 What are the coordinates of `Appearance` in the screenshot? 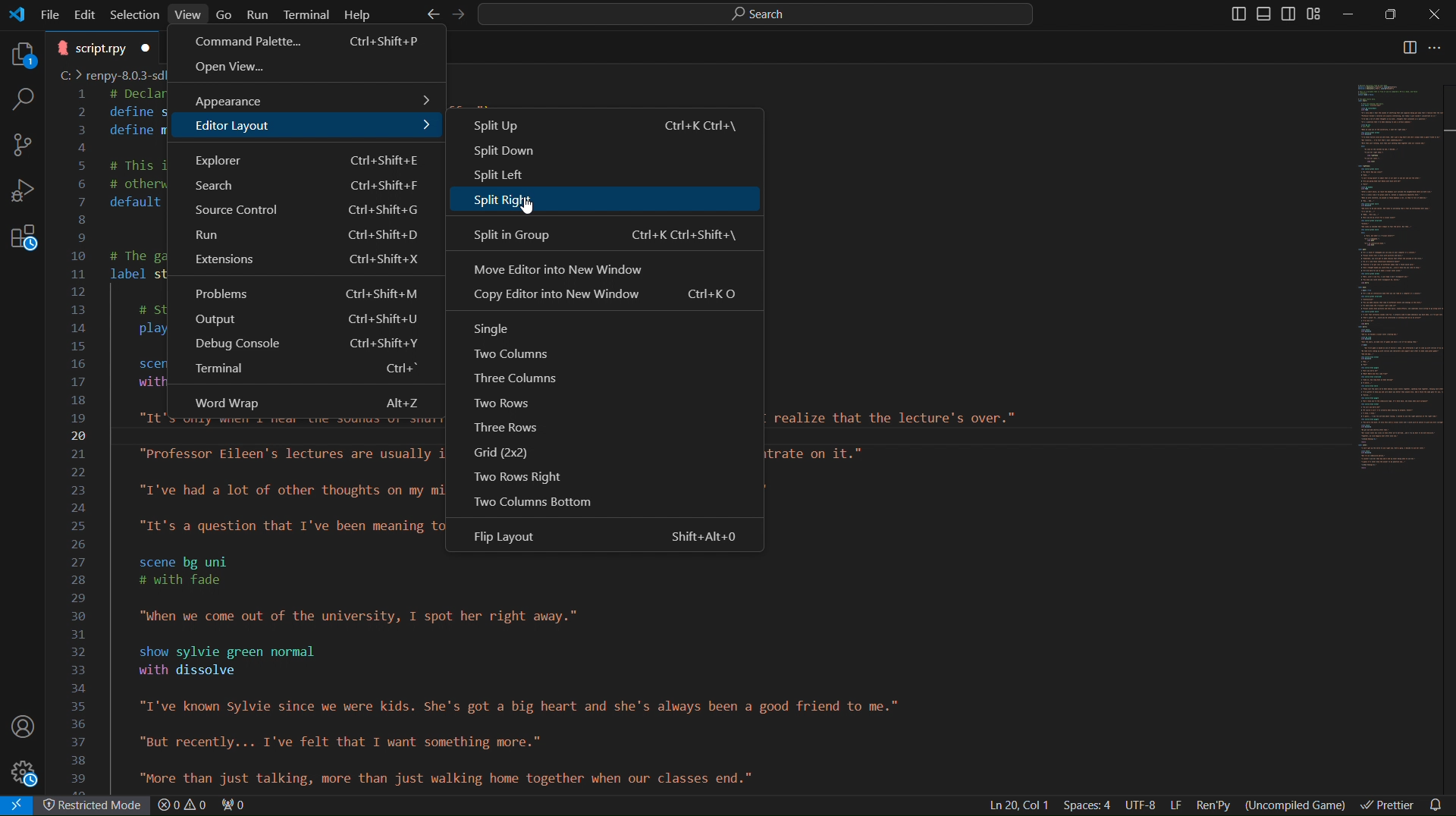 It's located at (306, 98).